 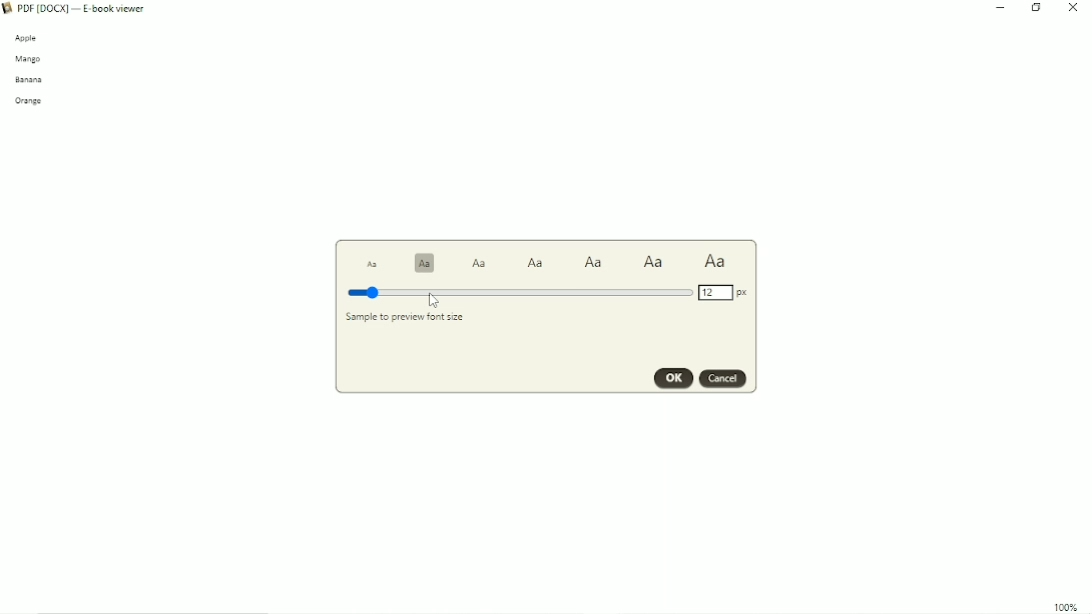 I want to click on Text size, so click(x=654, y=262).